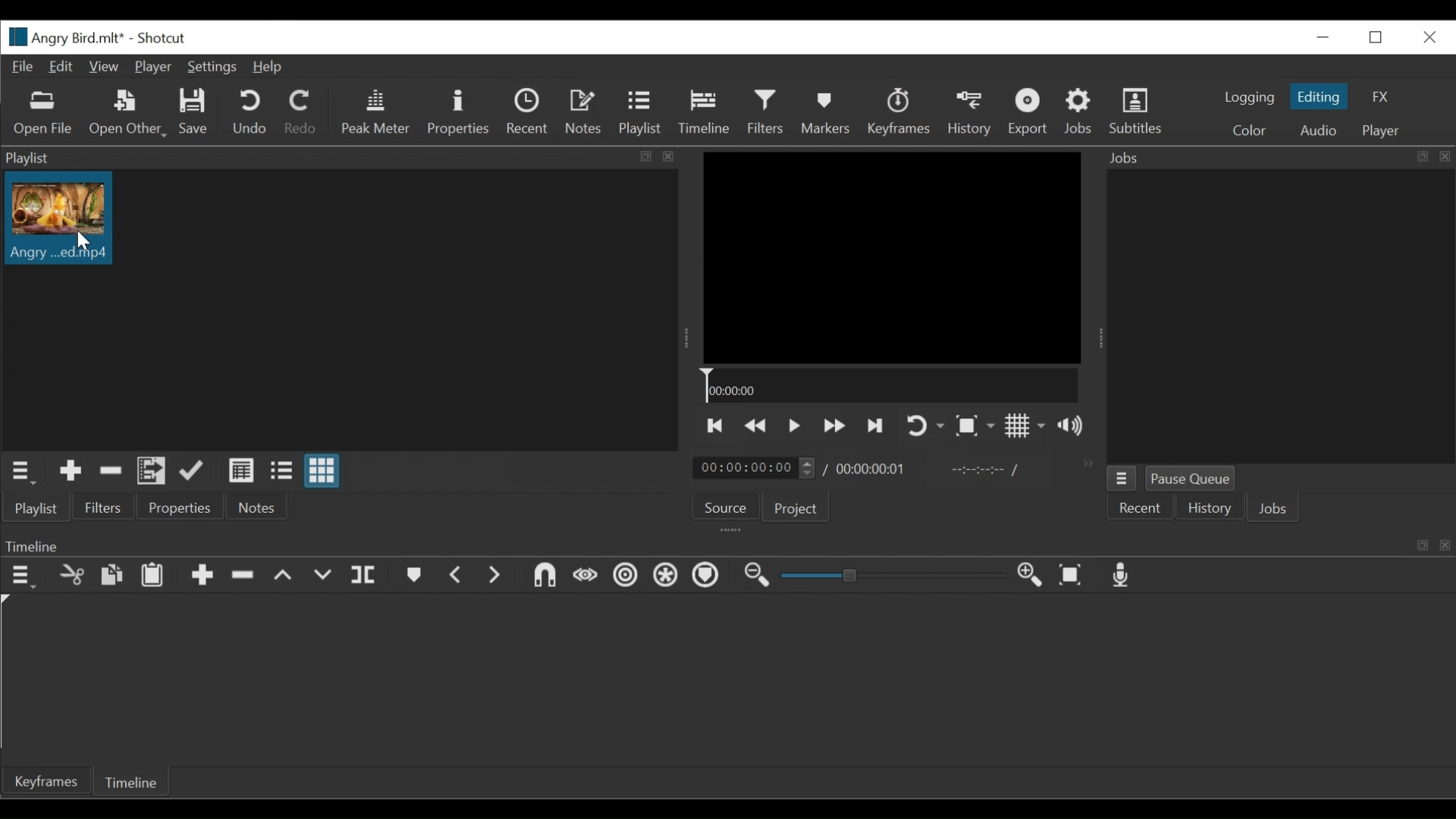 The image size is (1456, 819). What do you see at coordinates (868, 472) in the screenshot?
I see `time` at bounding box center [868, 472].